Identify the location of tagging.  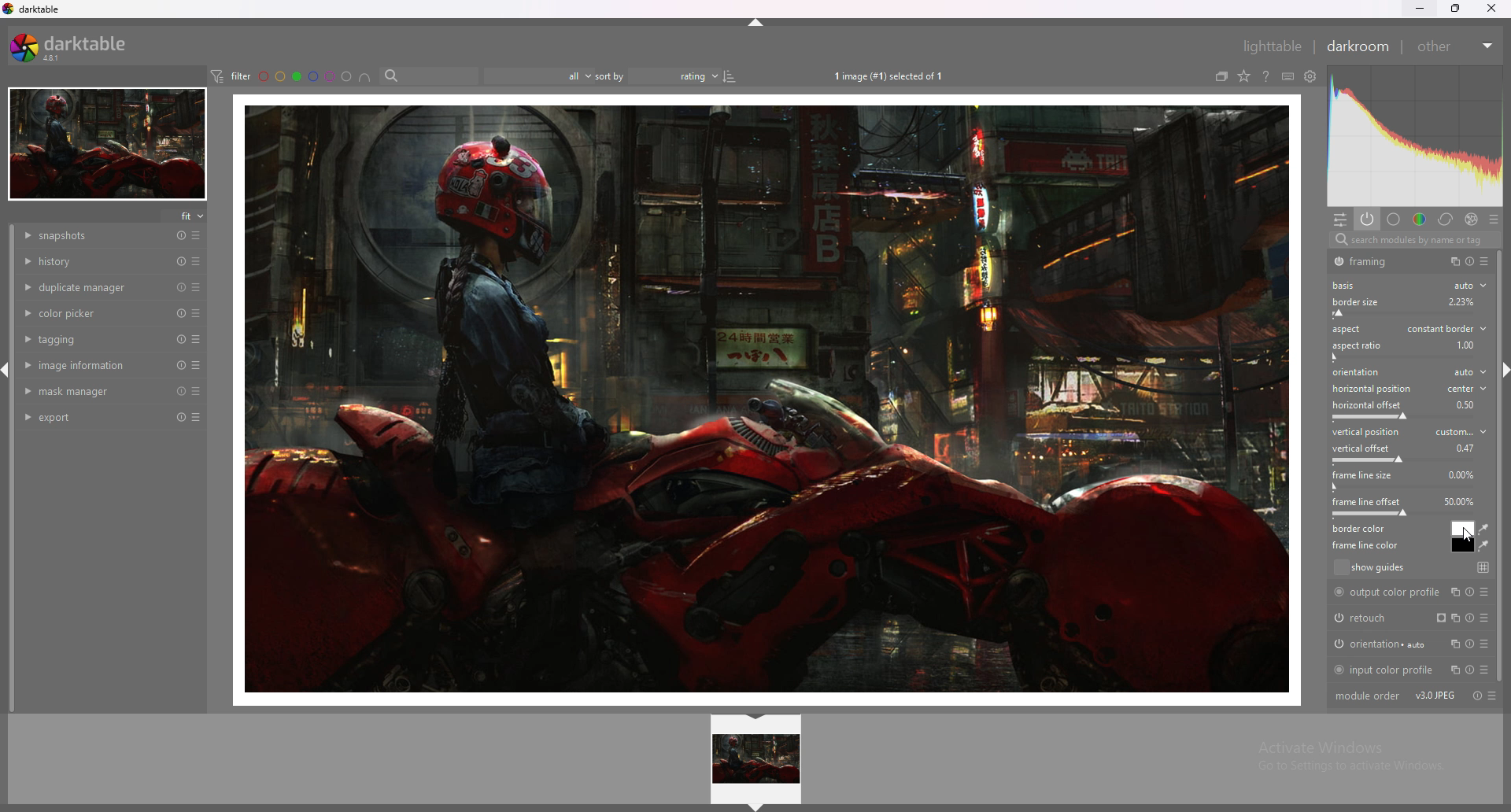
(93, 339).